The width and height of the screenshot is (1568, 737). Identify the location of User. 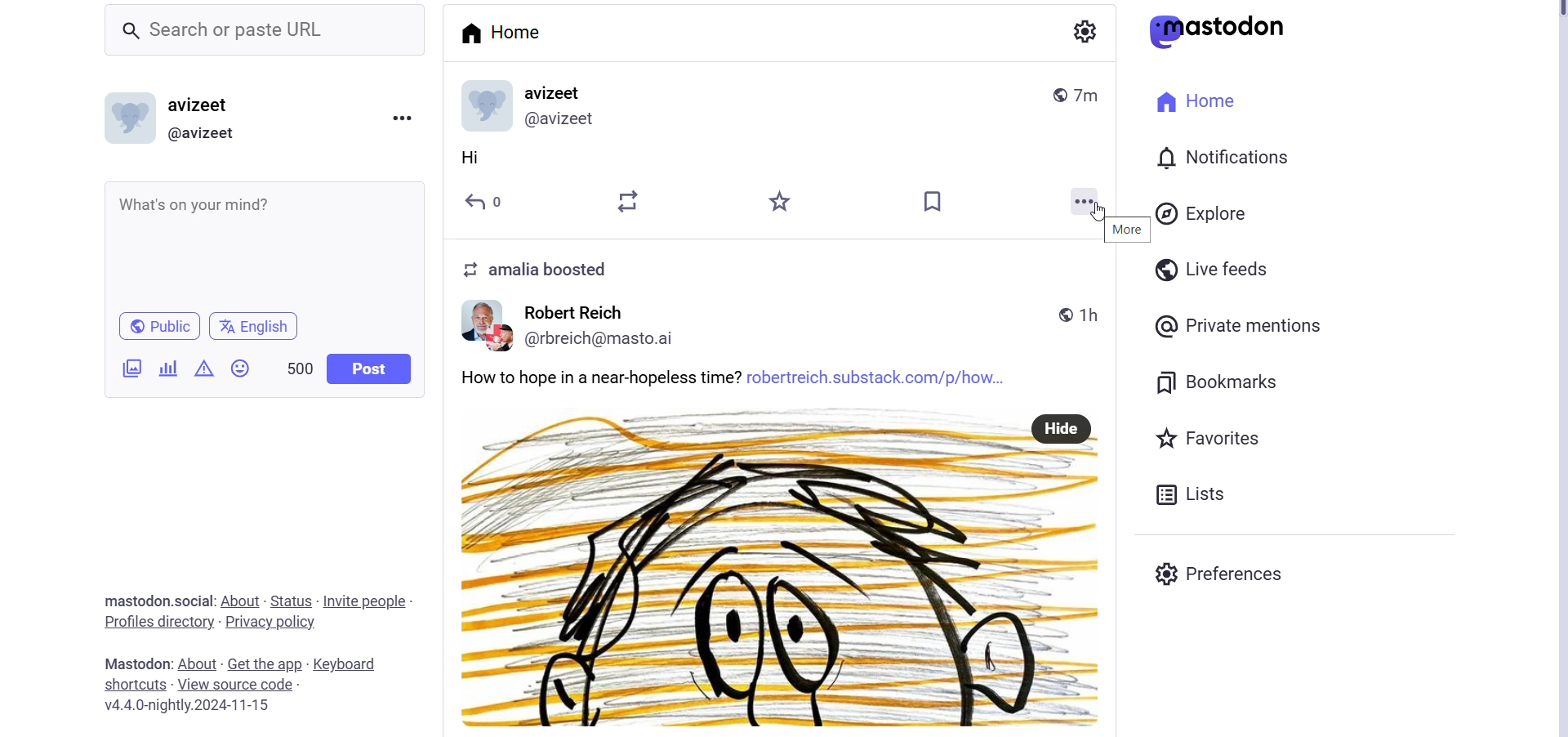
(212, 105).